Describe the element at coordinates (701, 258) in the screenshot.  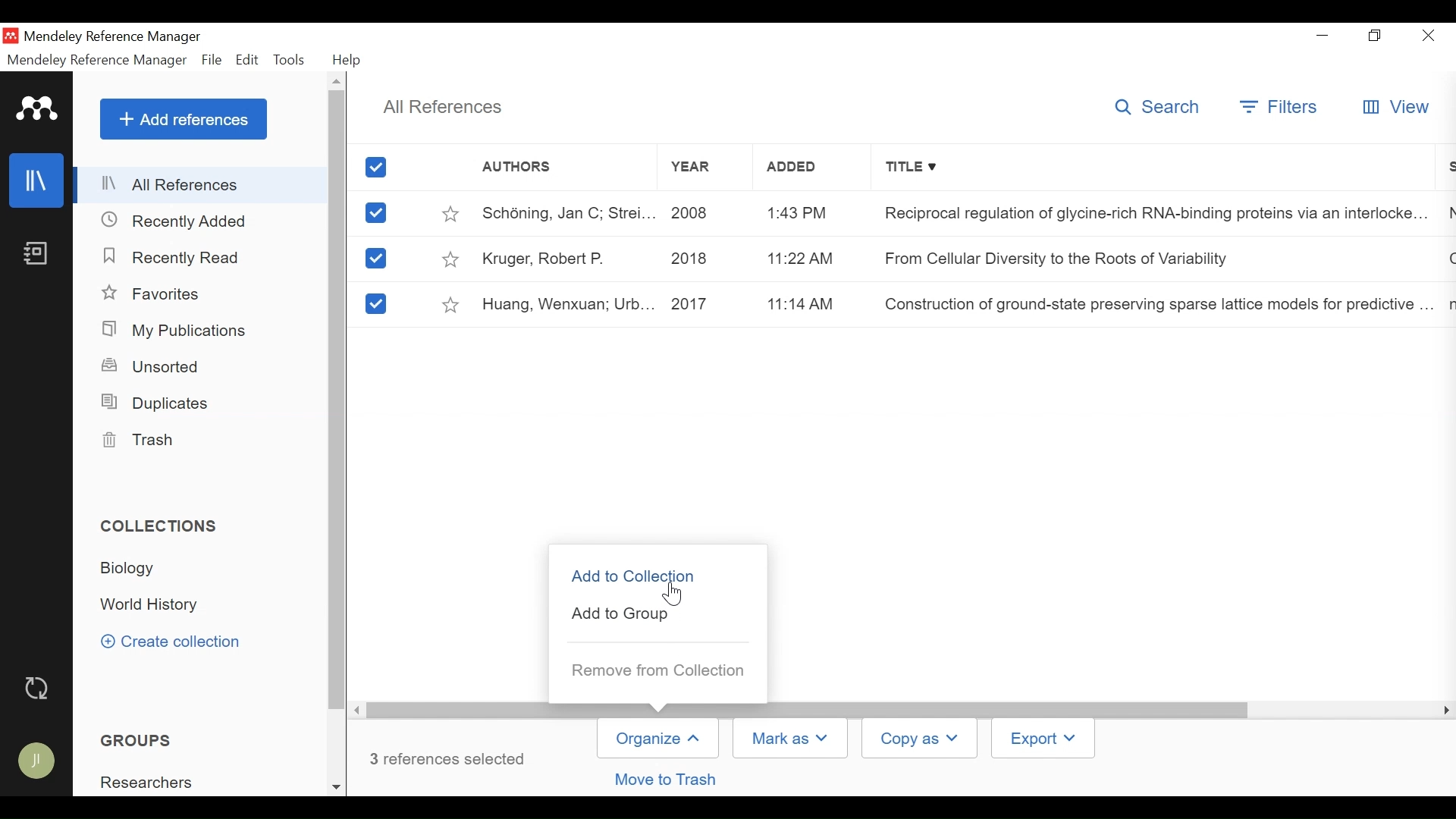
I see `2018` at that location.